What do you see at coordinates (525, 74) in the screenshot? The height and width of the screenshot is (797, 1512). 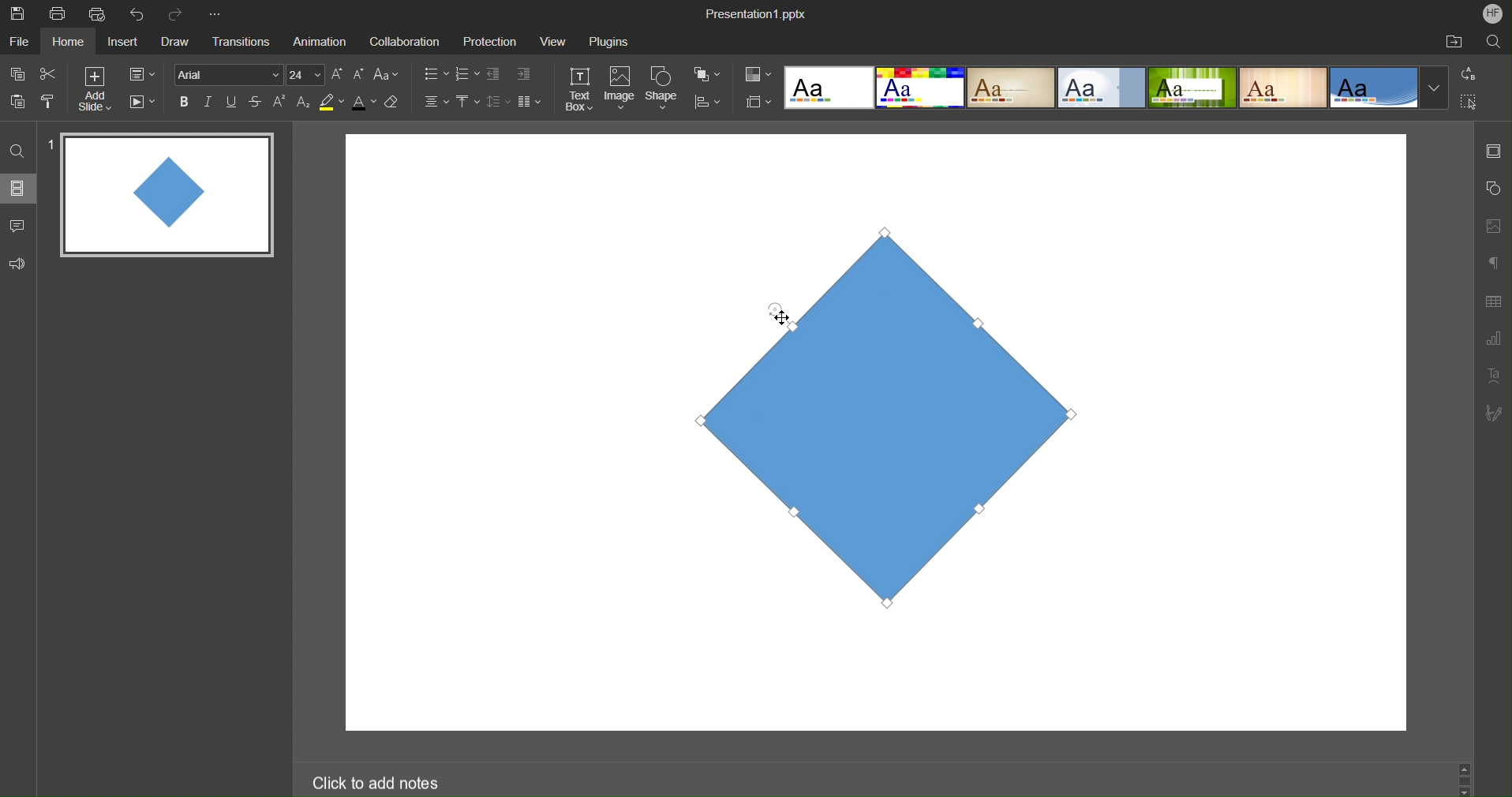 I see `Increase Indent` at bounding box center [525, 74].